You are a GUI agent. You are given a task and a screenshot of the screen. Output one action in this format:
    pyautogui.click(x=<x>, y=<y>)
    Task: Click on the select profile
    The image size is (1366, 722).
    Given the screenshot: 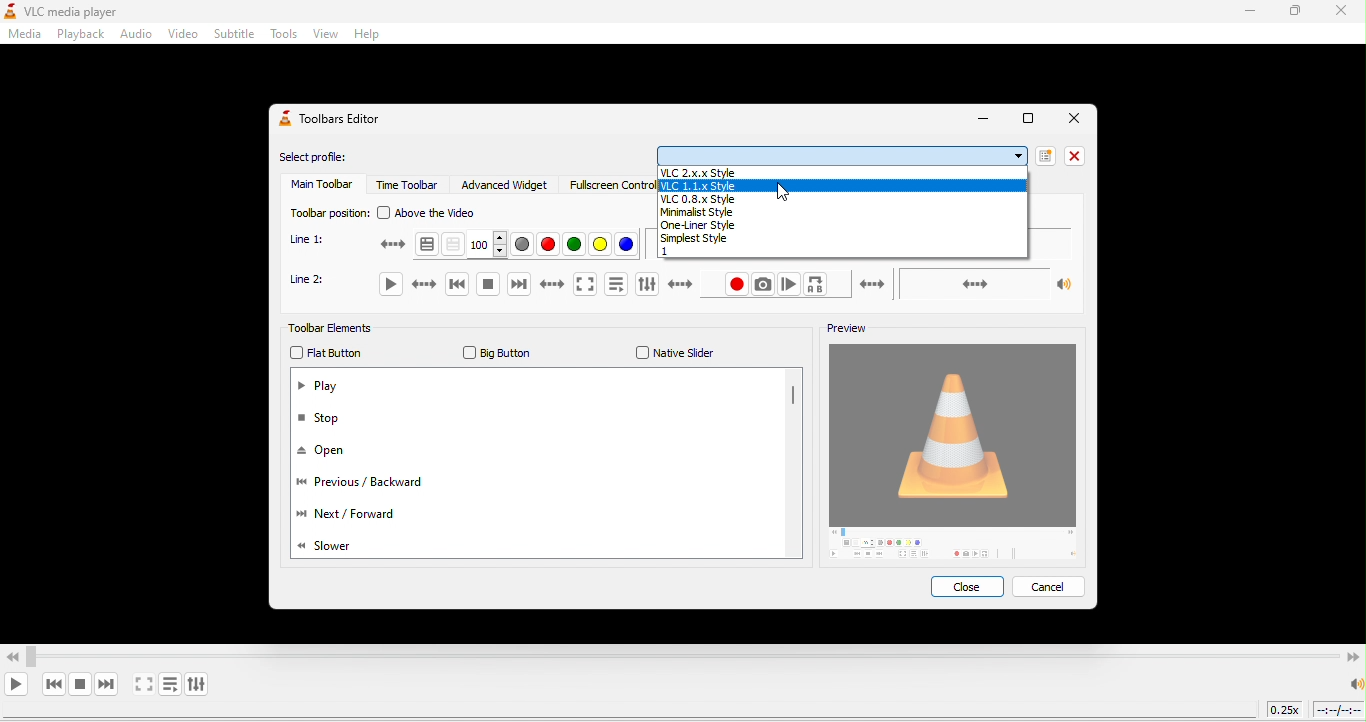 What is the action you would take?
    pyautogui.click(x=321, y=158)
    